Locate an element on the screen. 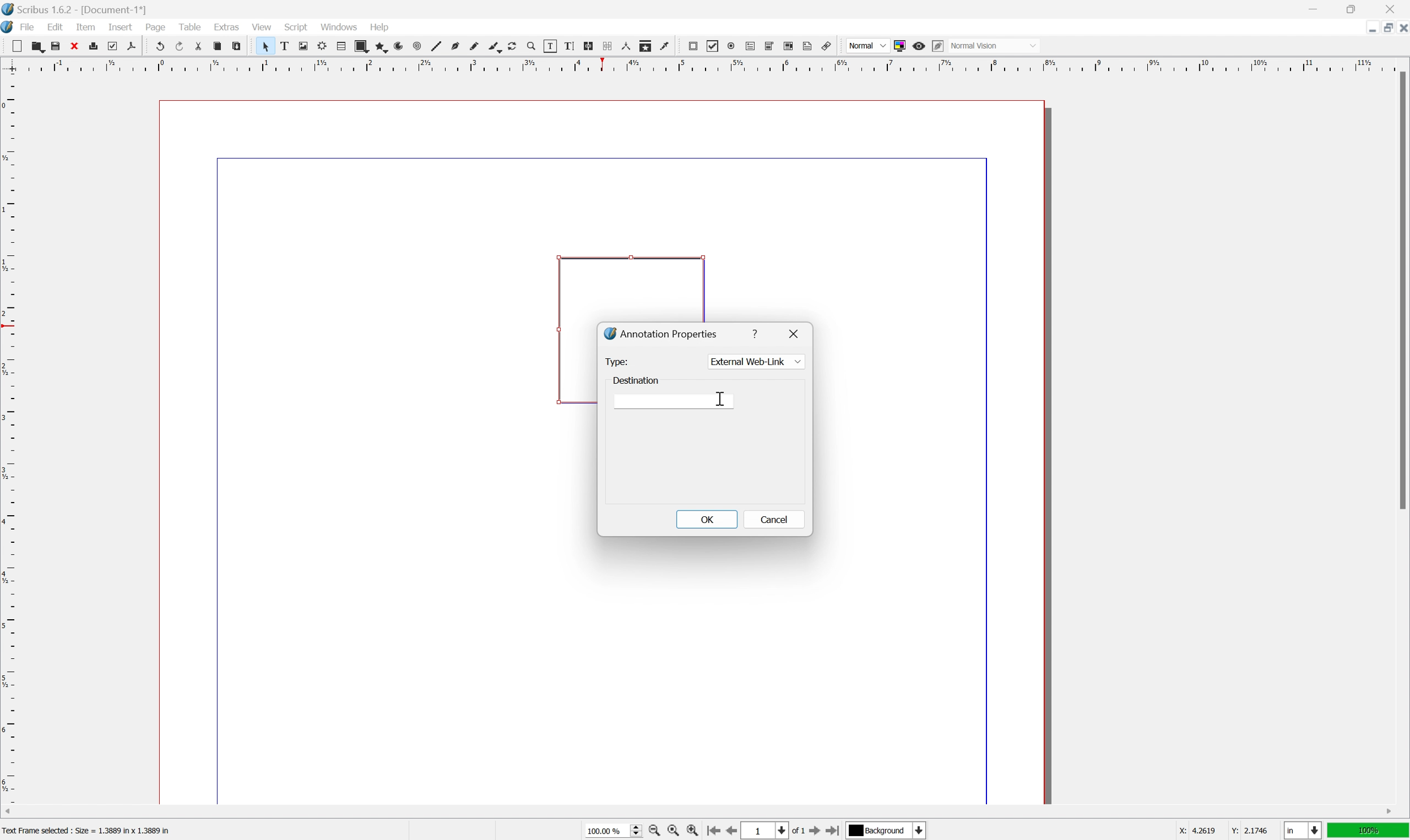 Image resolution: width=1410 pixels, height=840 pixels. minimize is located at coordinates (1312, 8).